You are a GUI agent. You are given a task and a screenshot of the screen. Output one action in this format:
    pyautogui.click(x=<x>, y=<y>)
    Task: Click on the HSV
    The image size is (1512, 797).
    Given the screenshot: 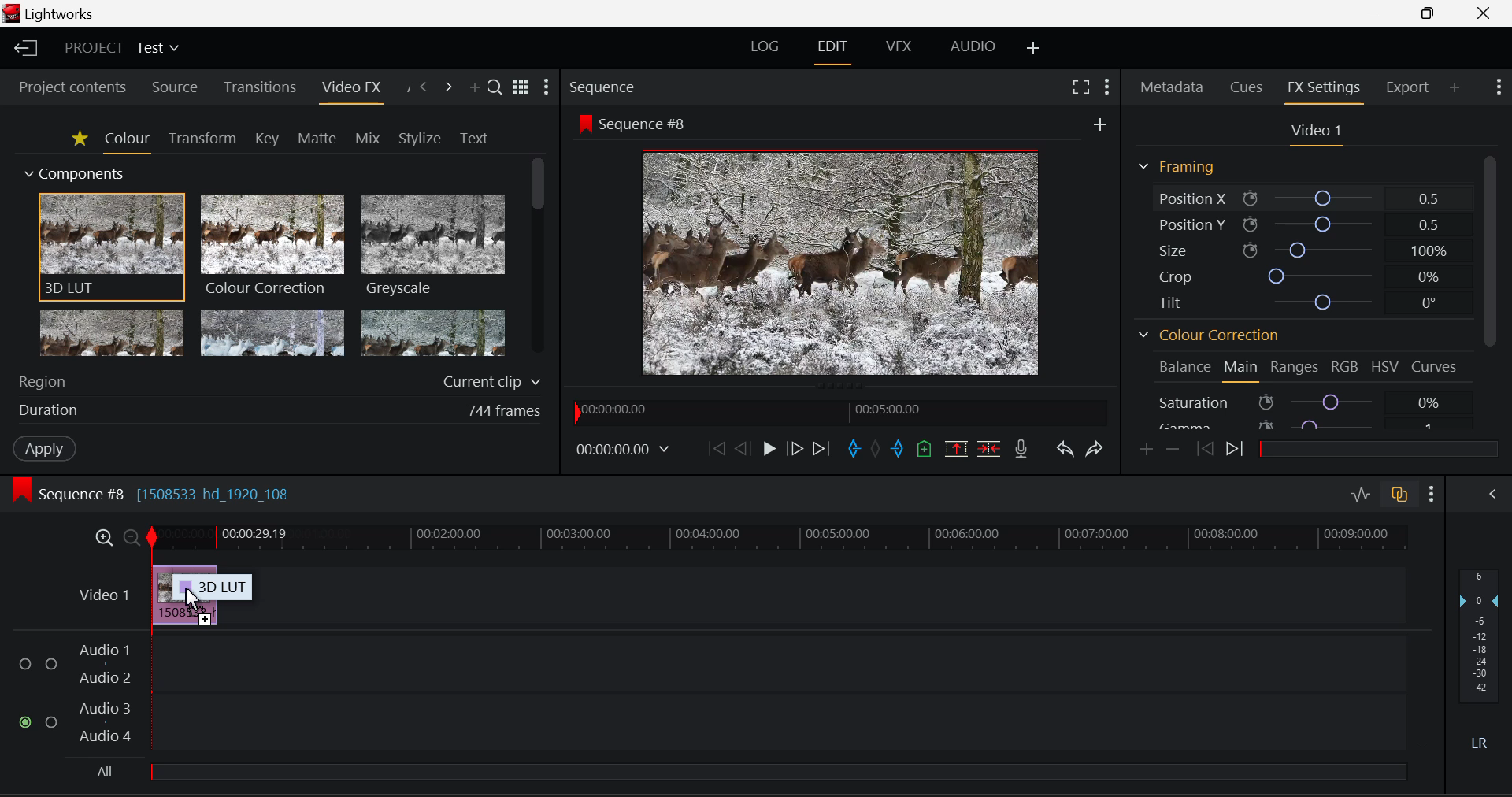 What is the action you would take?
    pyautogui.click(x=1384, y=369)
    